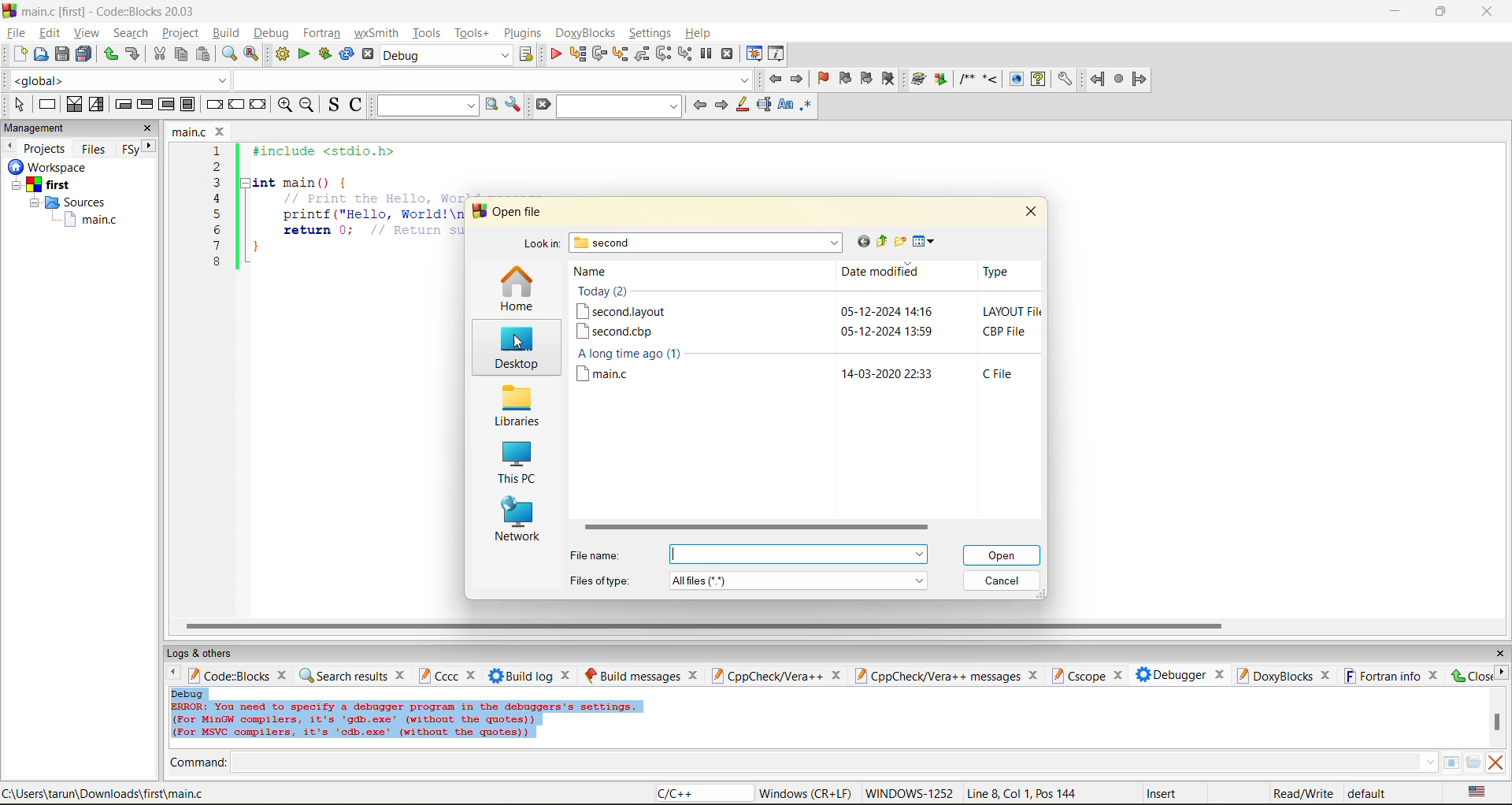 Image resolution: width=1512 pixels, height=805 pixels. I want to click on Print the Hello, world message, so click(373, 198).